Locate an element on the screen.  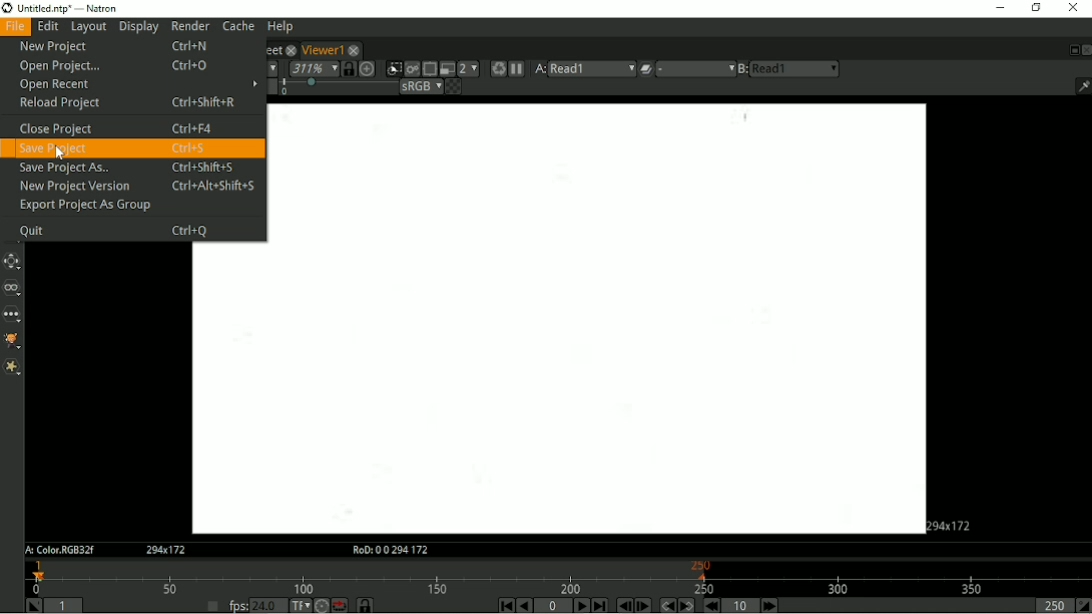
Previous increment is located at coordinates (711, 606).